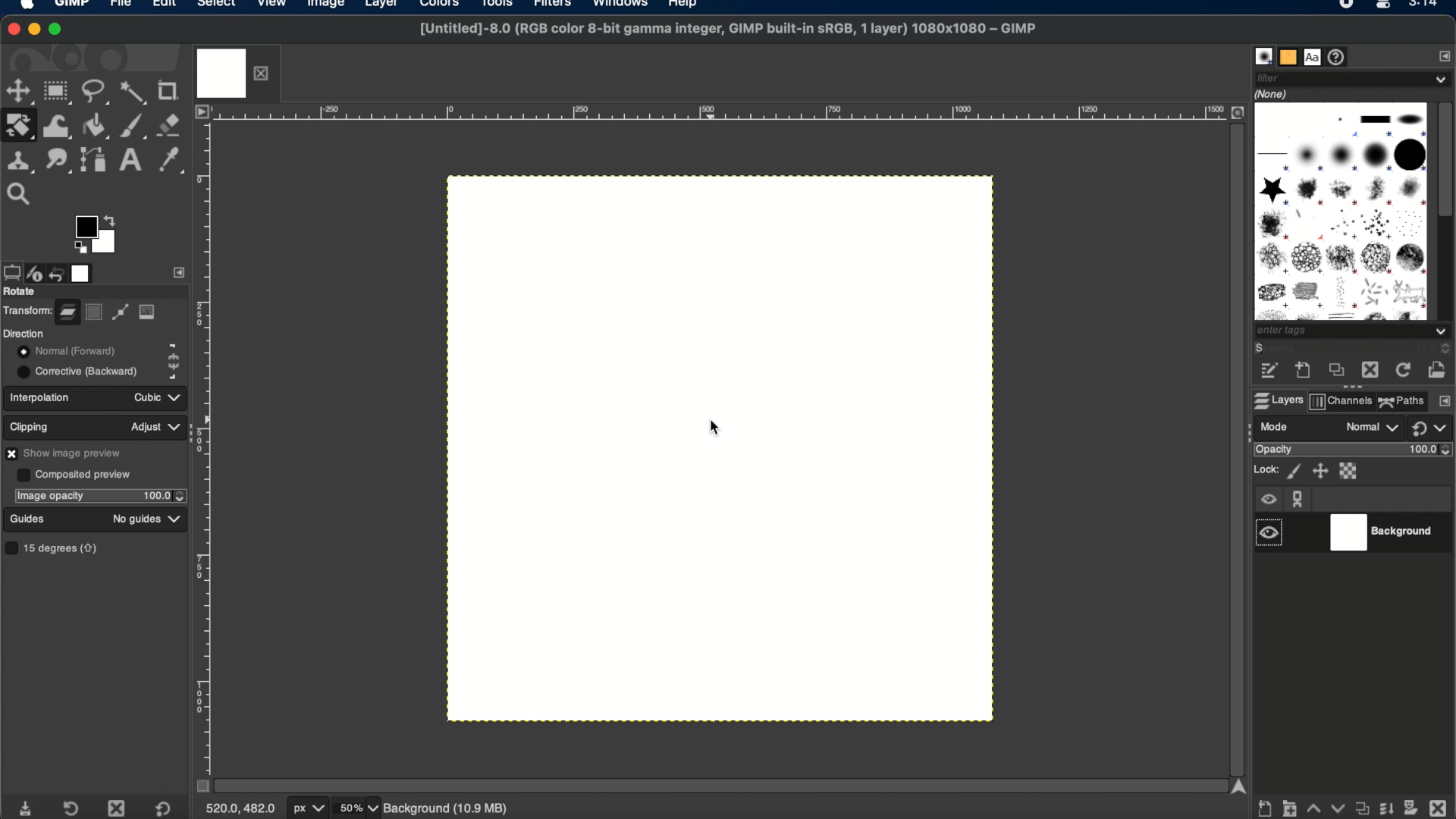 The image size is (1456, 819). Describe the element at coordinates (720, 114) in the screenshot. I see `margin` at that location.